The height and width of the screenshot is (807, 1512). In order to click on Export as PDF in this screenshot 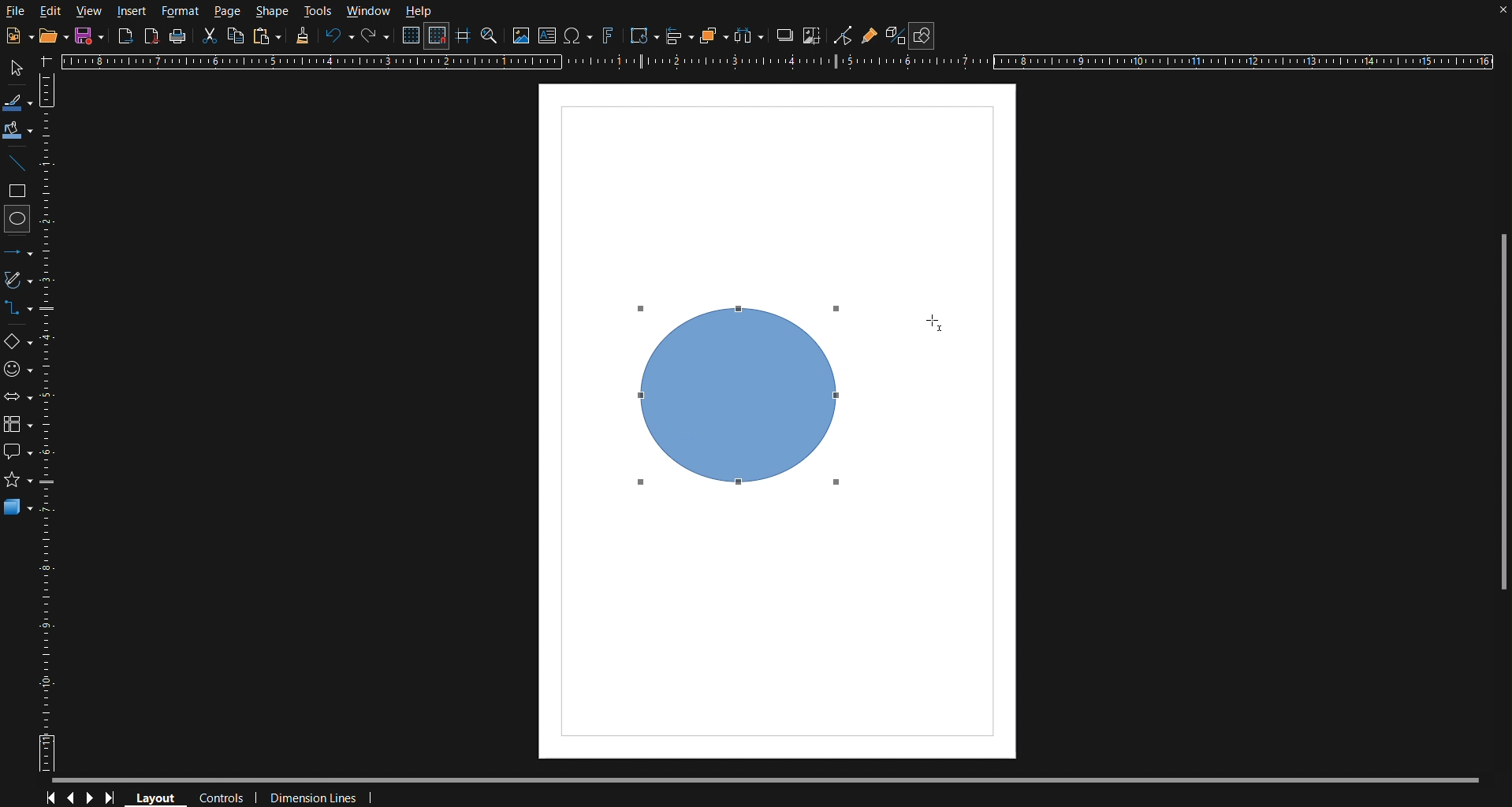, I will do `click(153, 37)`.